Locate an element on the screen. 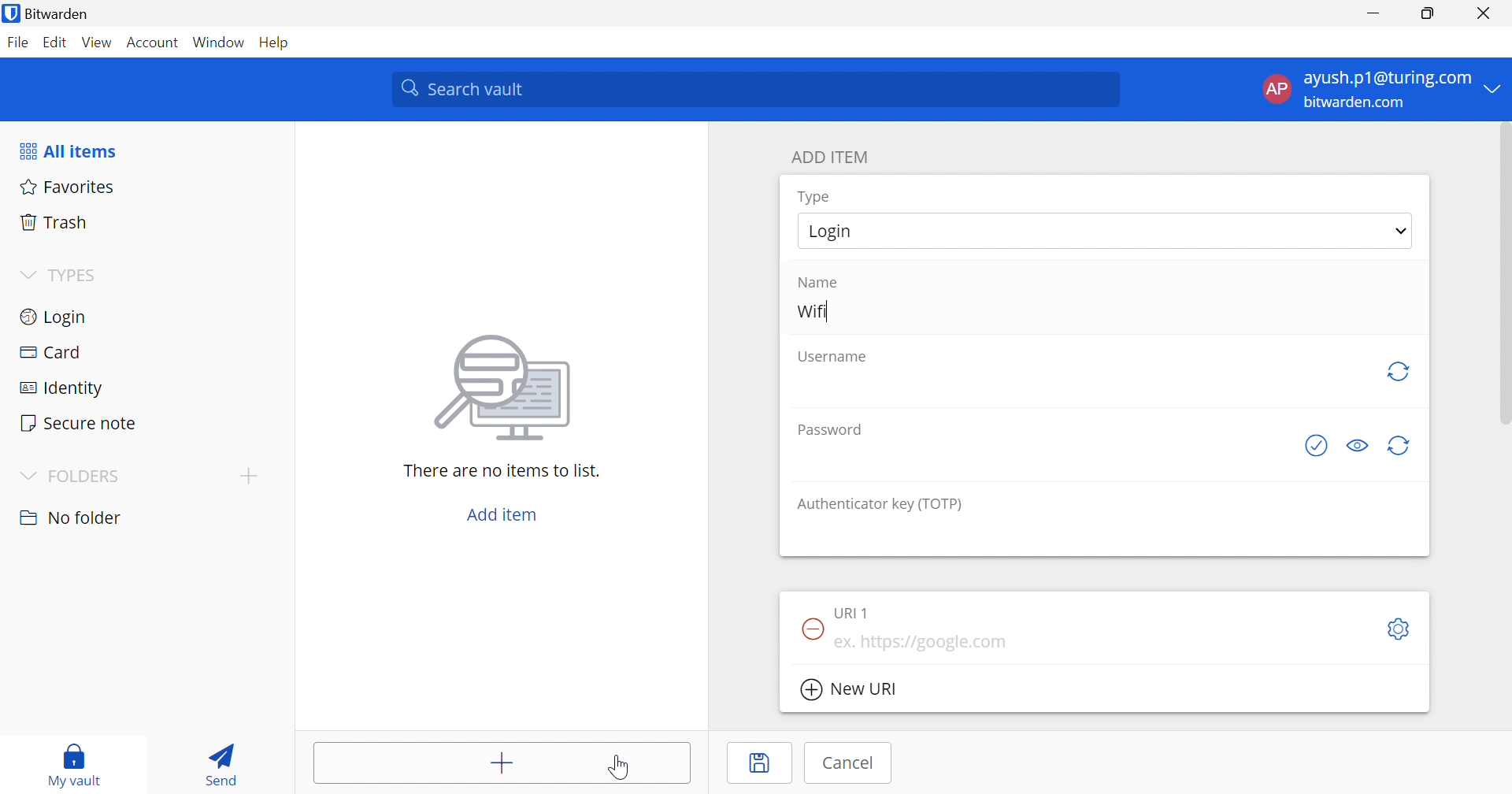 The width and height of the screenshot is (1512, 794). New URI is located at coordinates (851, 692).